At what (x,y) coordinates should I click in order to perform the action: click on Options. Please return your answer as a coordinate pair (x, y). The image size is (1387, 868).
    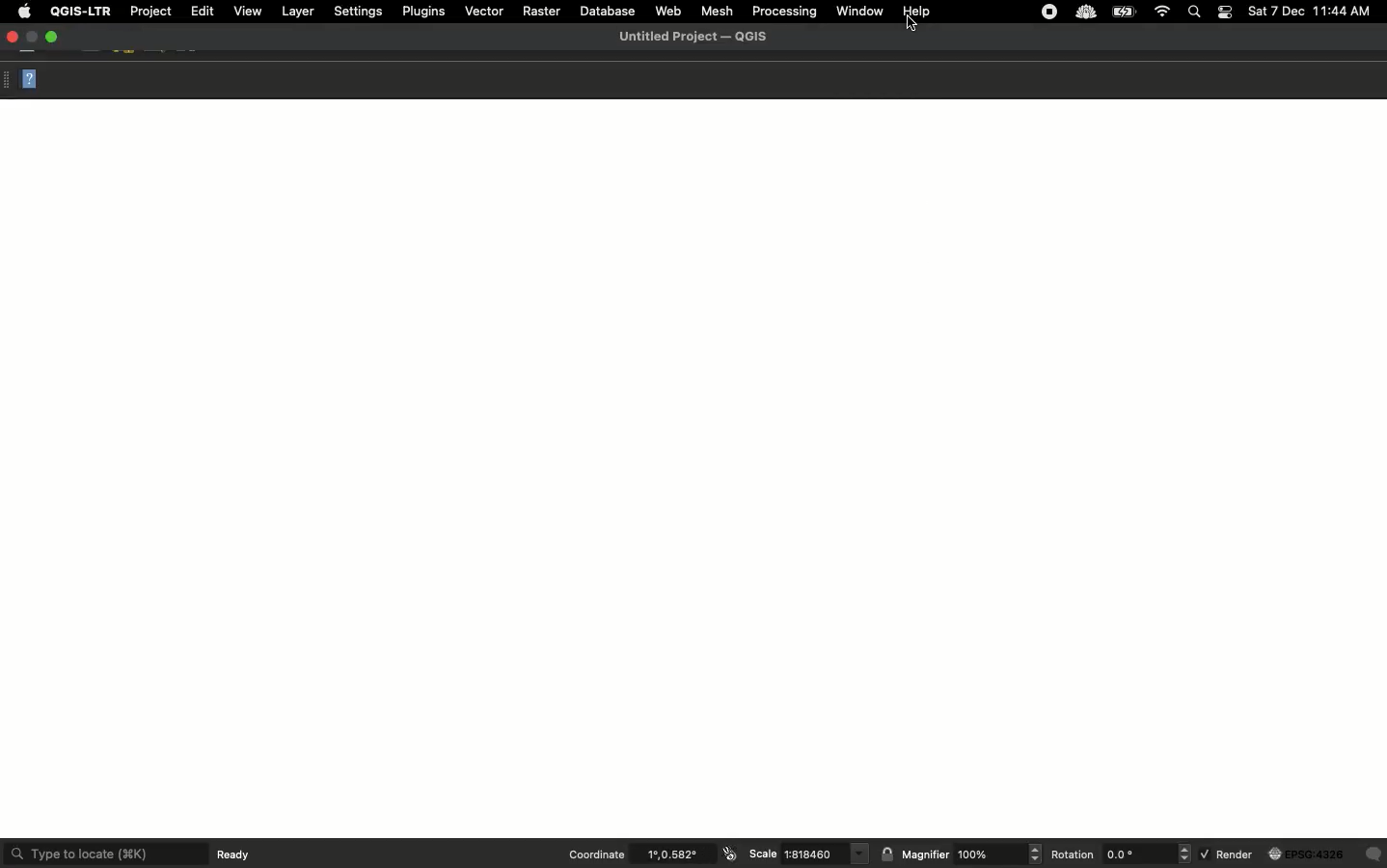
    Looking at the image, I should click on (9, 81).